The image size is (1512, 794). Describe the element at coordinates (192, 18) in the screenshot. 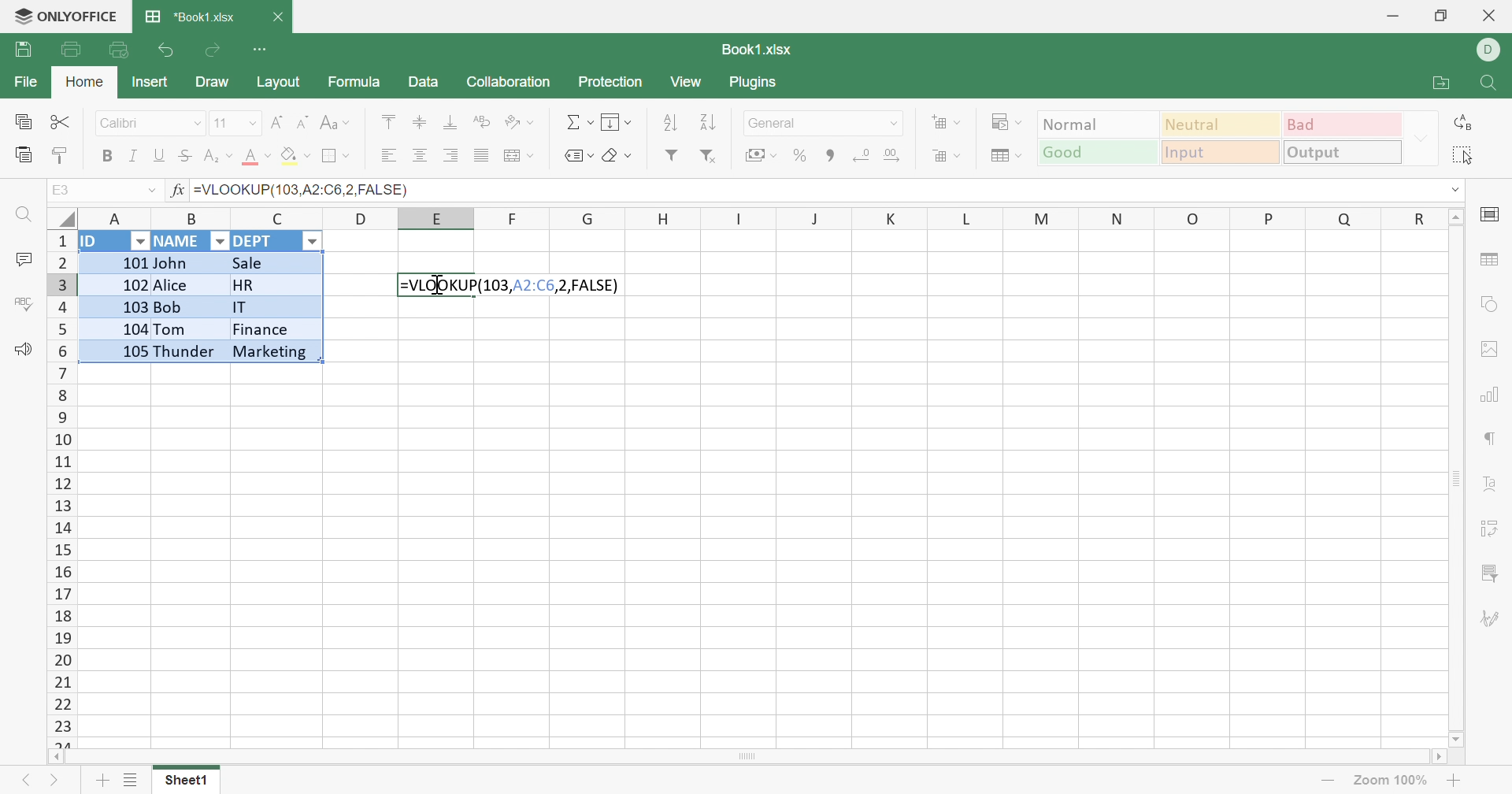

I see `*Book1.xlsx` at that location.